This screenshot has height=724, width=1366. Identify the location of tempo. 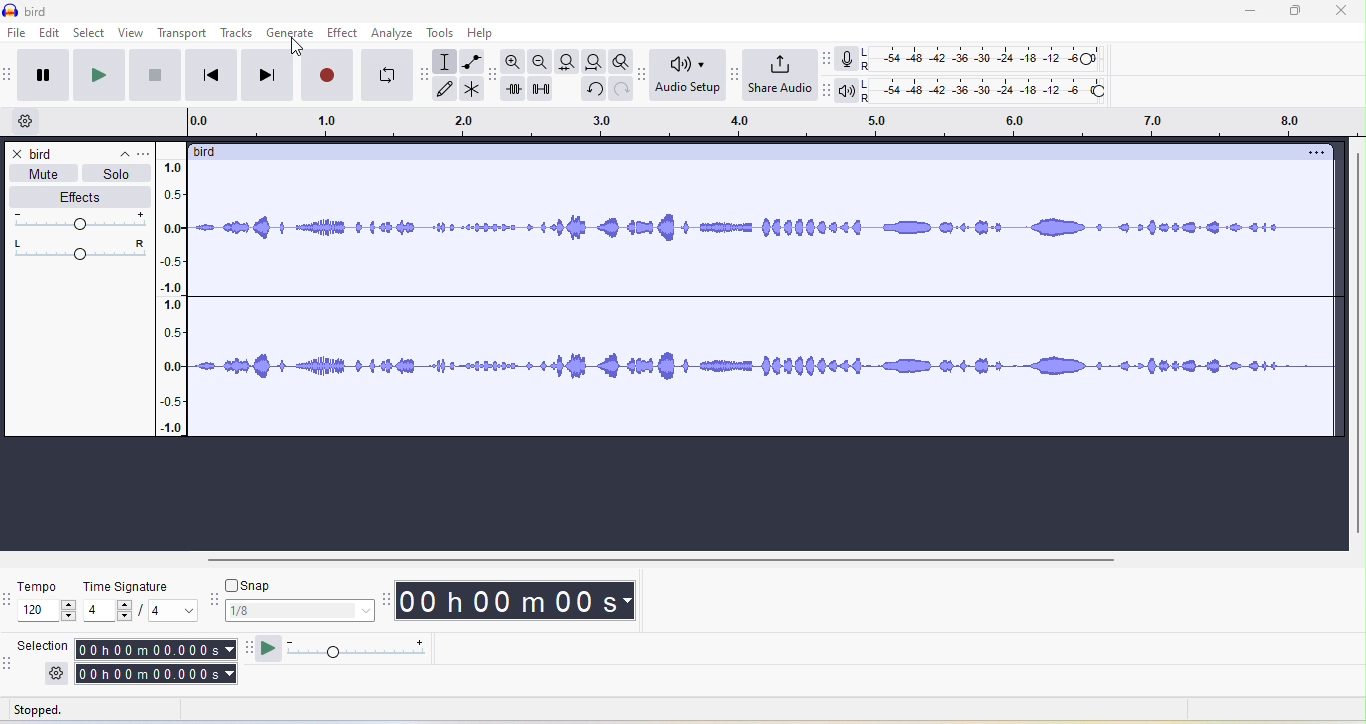
(48, 603).